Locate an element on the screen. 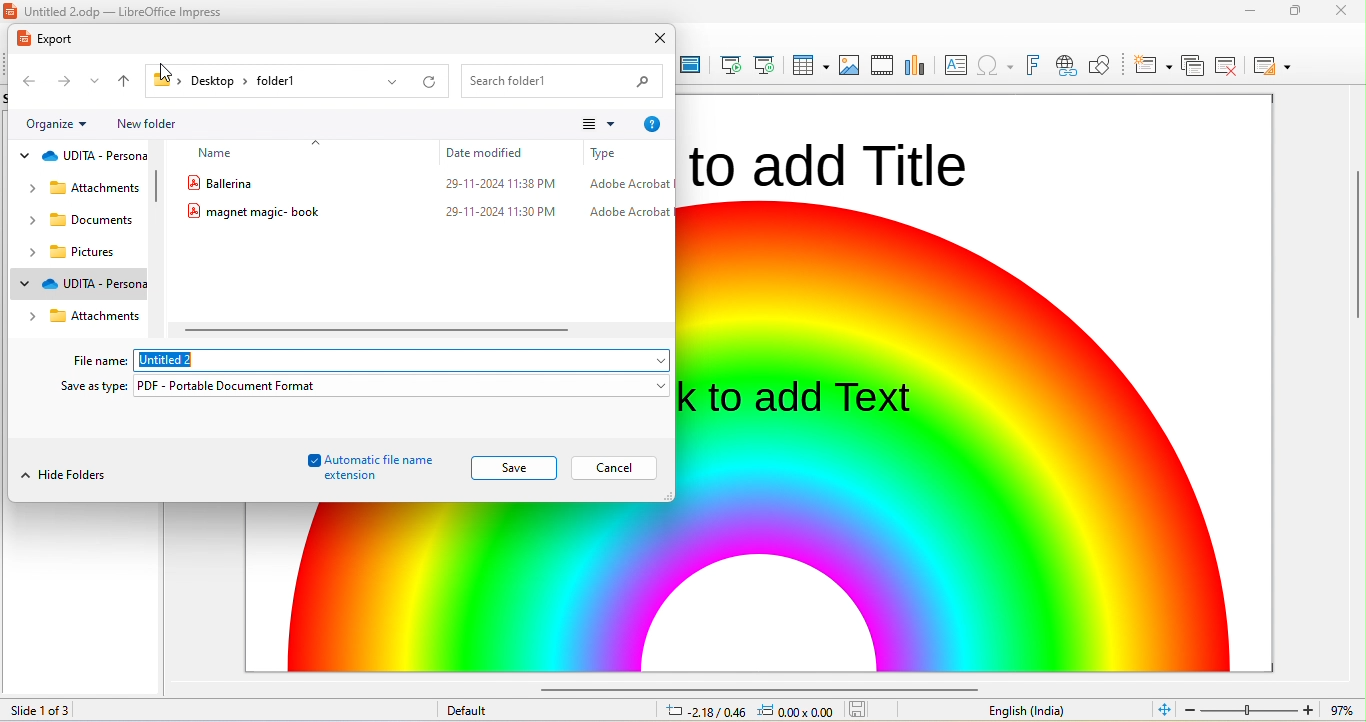 This screenshot has height=722, width=1366. automatic file name is located at coordinates (365, 459).